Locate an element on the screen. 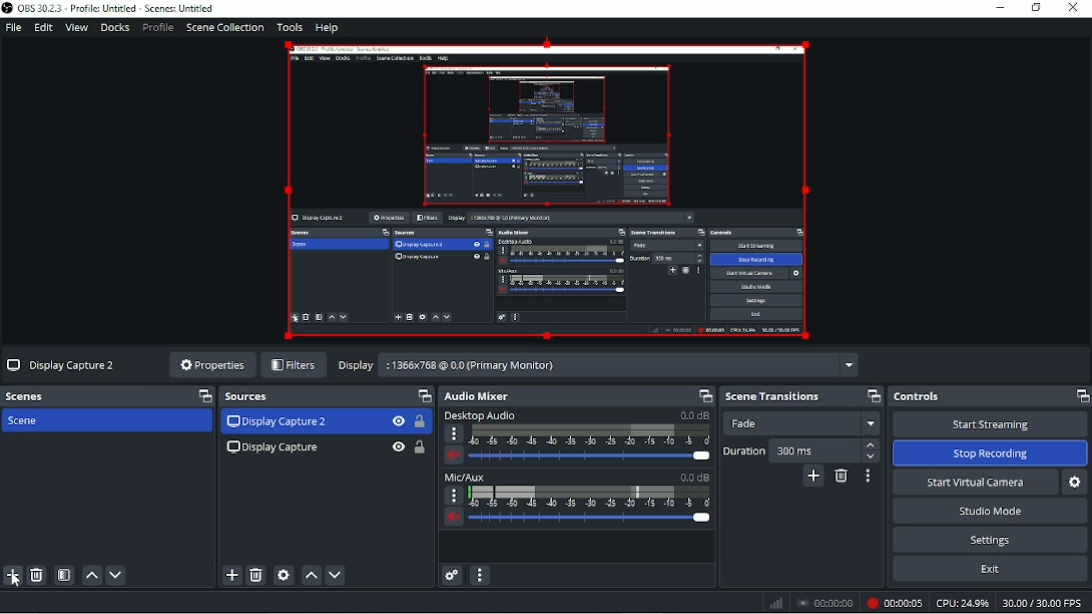  CPU: 24.9% is located at coordinates (962, 604).